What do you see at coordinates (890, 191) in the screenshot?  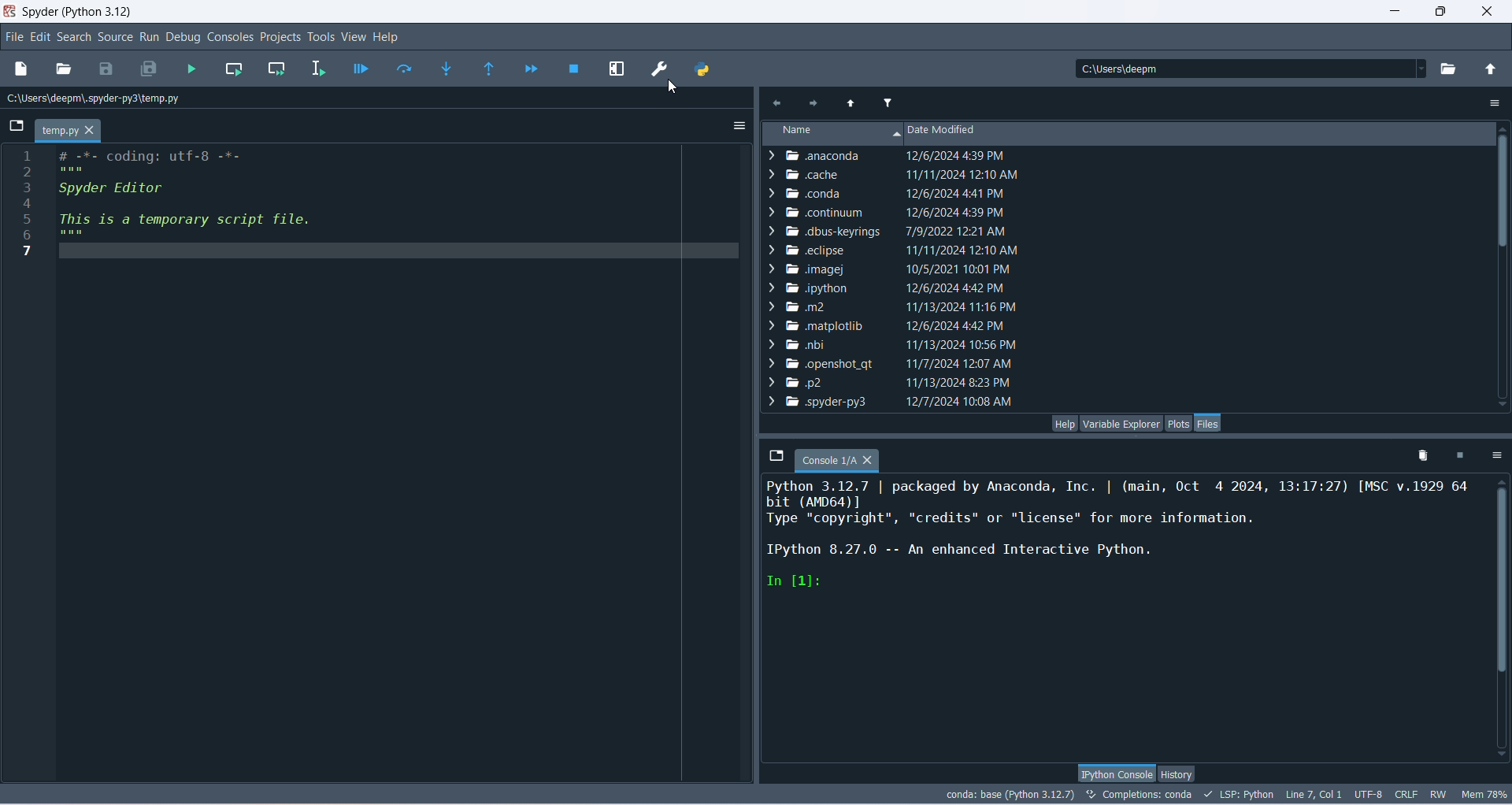 I see `folder details` at bounding box center [890, 191].